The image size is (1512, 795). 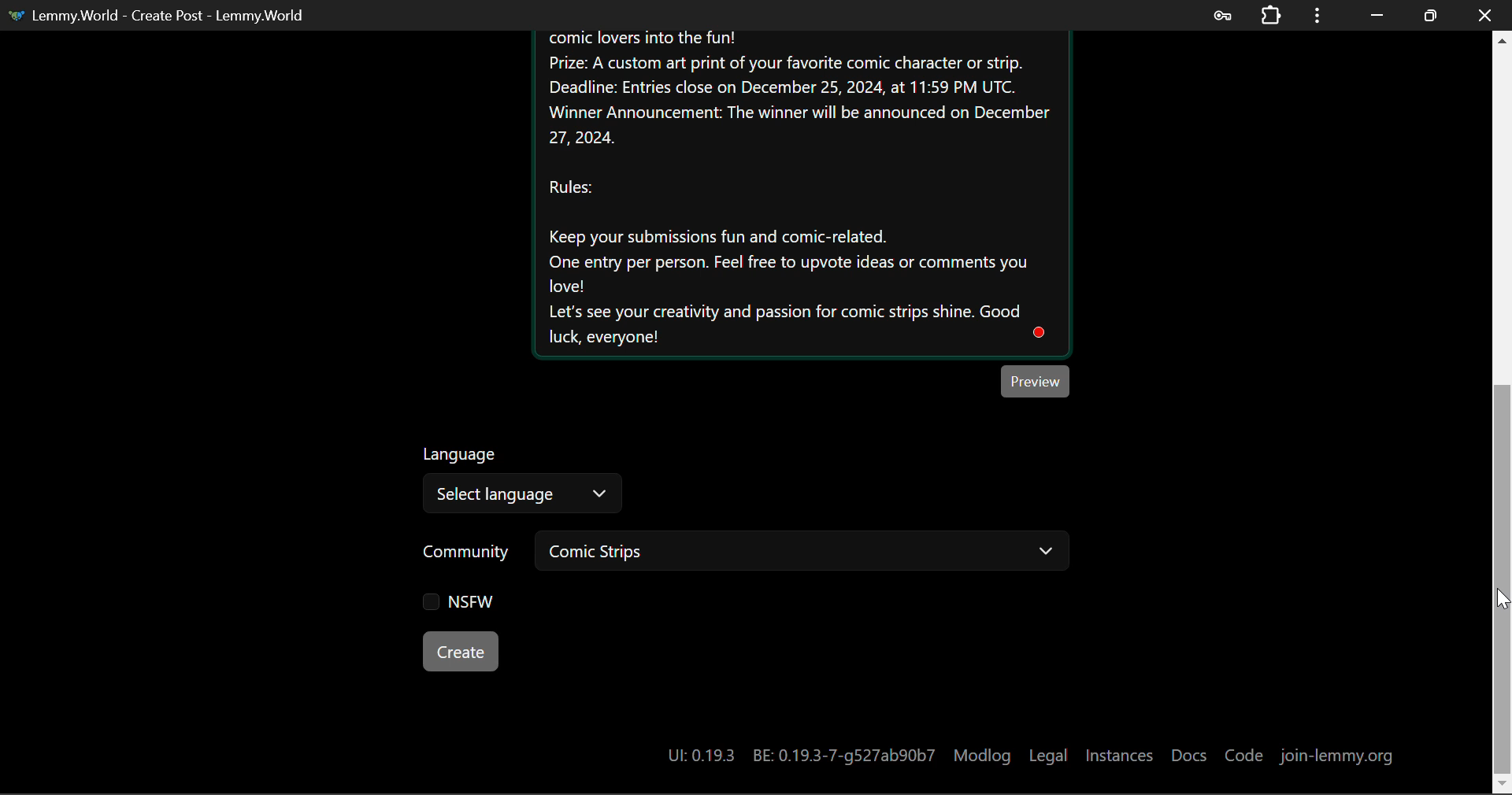 What do you see at coordinates (1503, 411) in the screenshot?
I see `Scroll Bar` at bounding box center [1503, 411].